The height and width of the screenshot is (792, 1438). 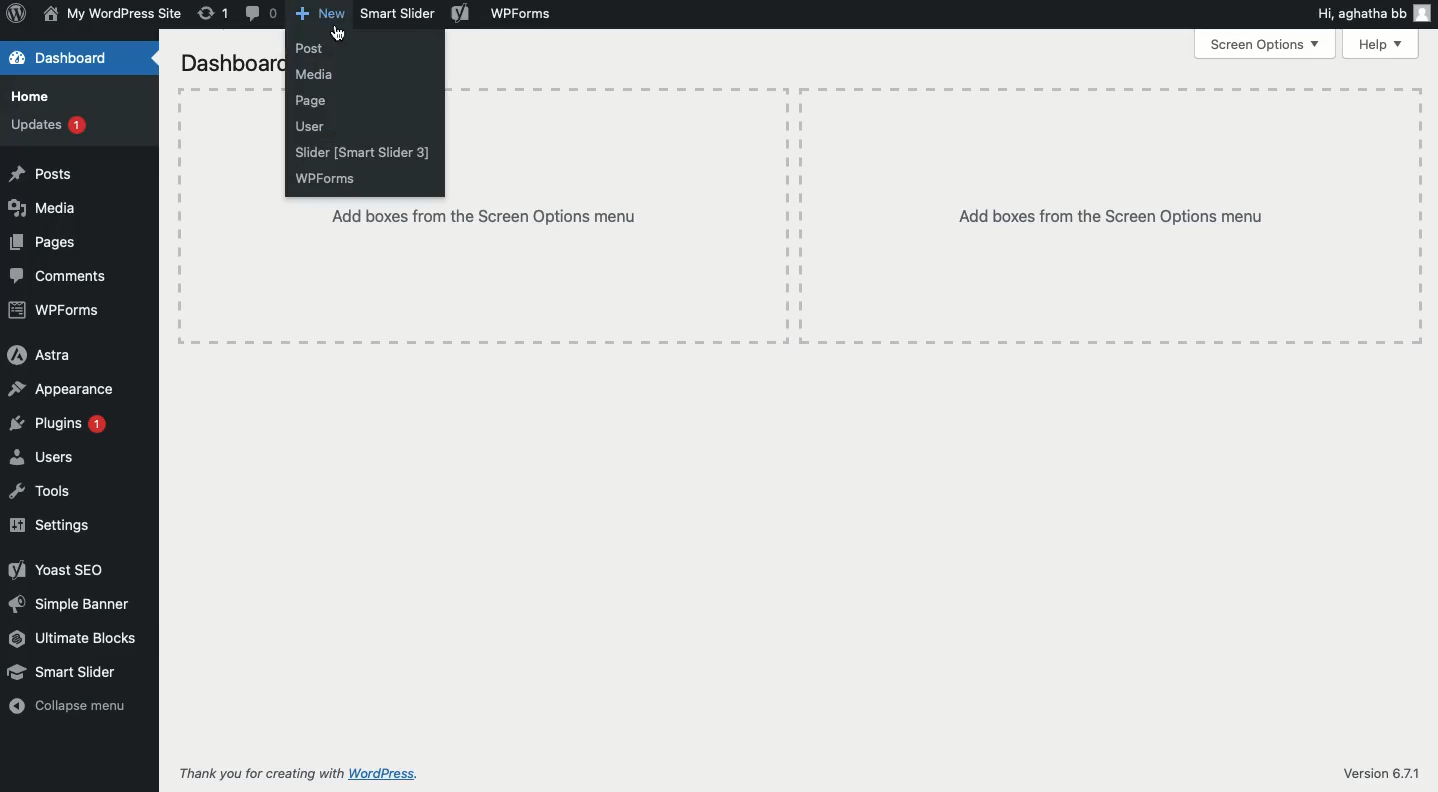 I want to click on Dashboard, so click(x=63, y=60).